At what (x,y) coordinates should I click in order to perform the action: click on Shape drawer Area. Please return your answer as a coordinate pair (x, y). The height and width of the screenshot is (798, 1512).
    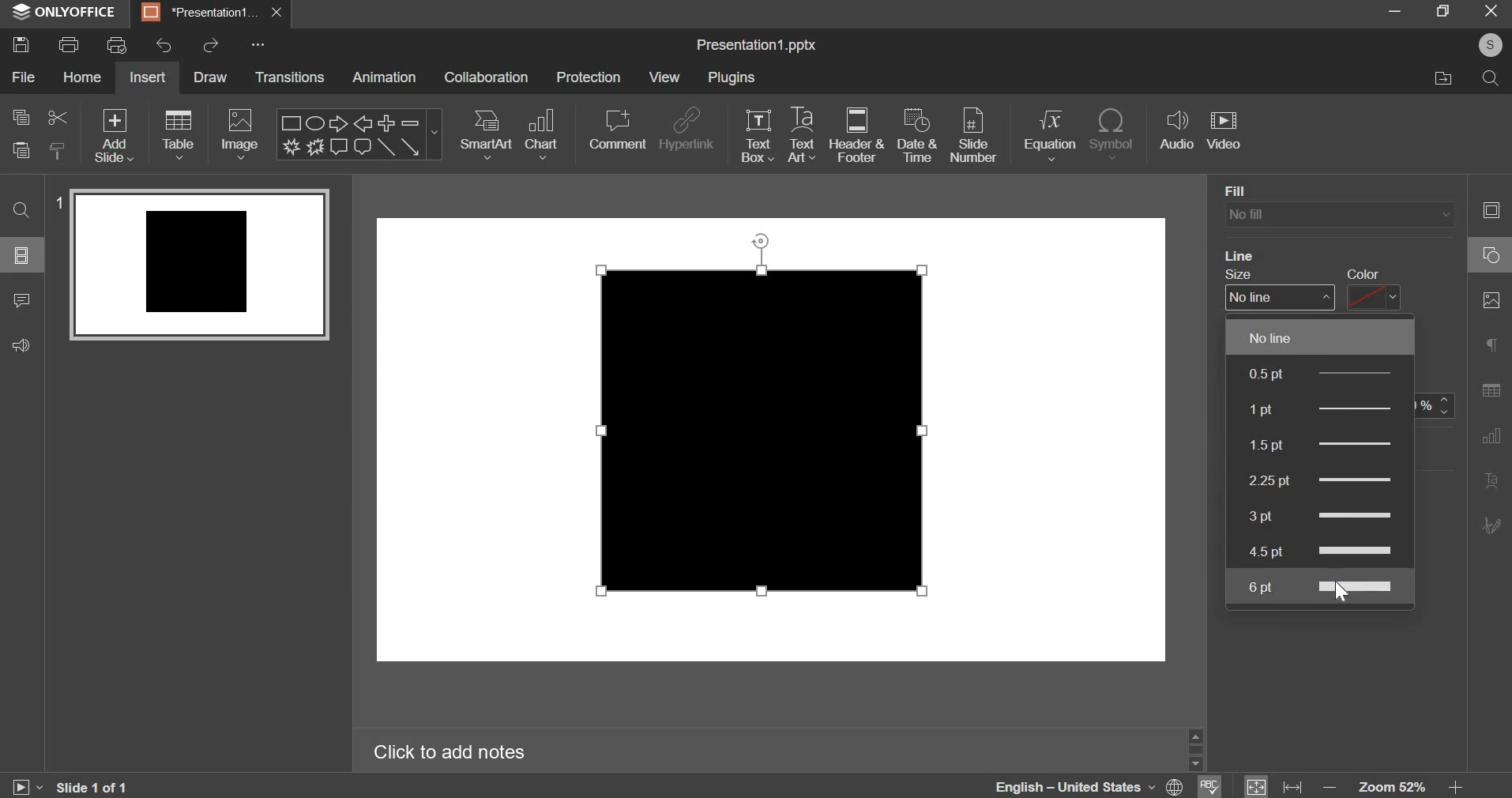
    Looking at the image, I should click on (765, 415).